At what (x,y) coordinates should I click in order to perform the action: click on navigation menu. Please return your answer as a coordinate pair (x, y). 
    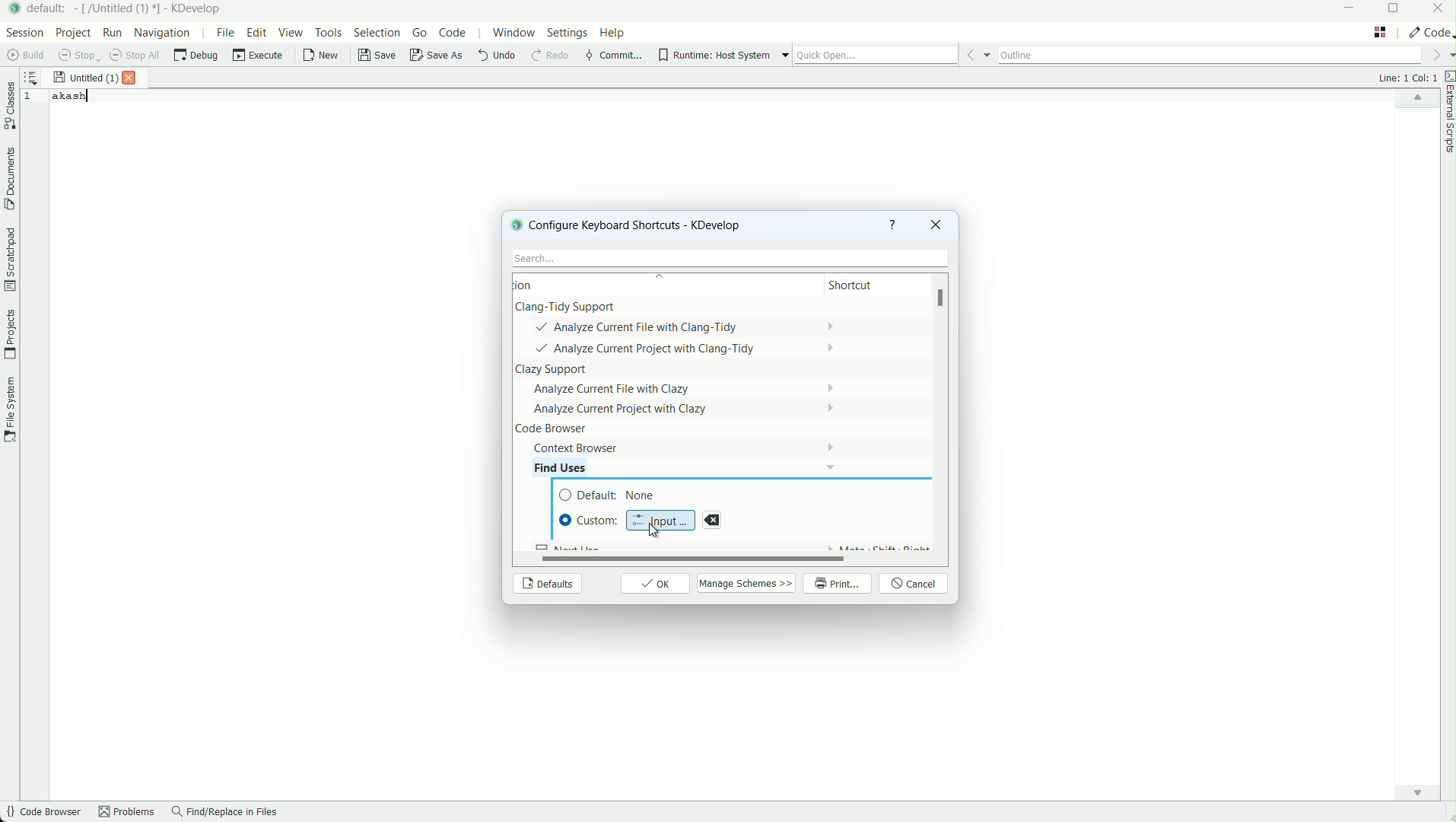
    Looking at the image, I should click on (163, 32).